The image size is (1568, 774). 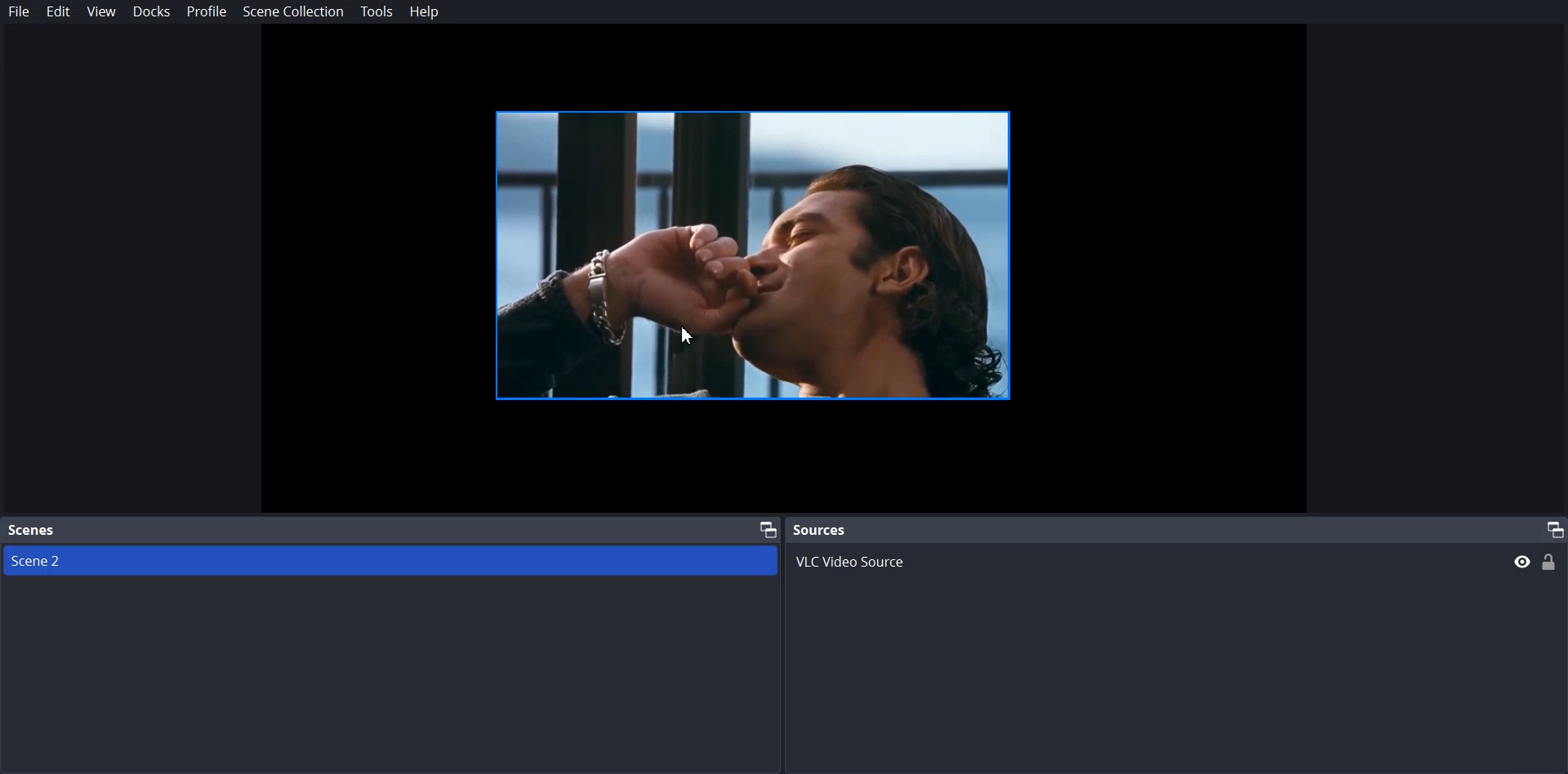 What do you see at coordinates (1521, 562) in the screenshot?
I see `hide/display` at bounding box center [1521, 562].